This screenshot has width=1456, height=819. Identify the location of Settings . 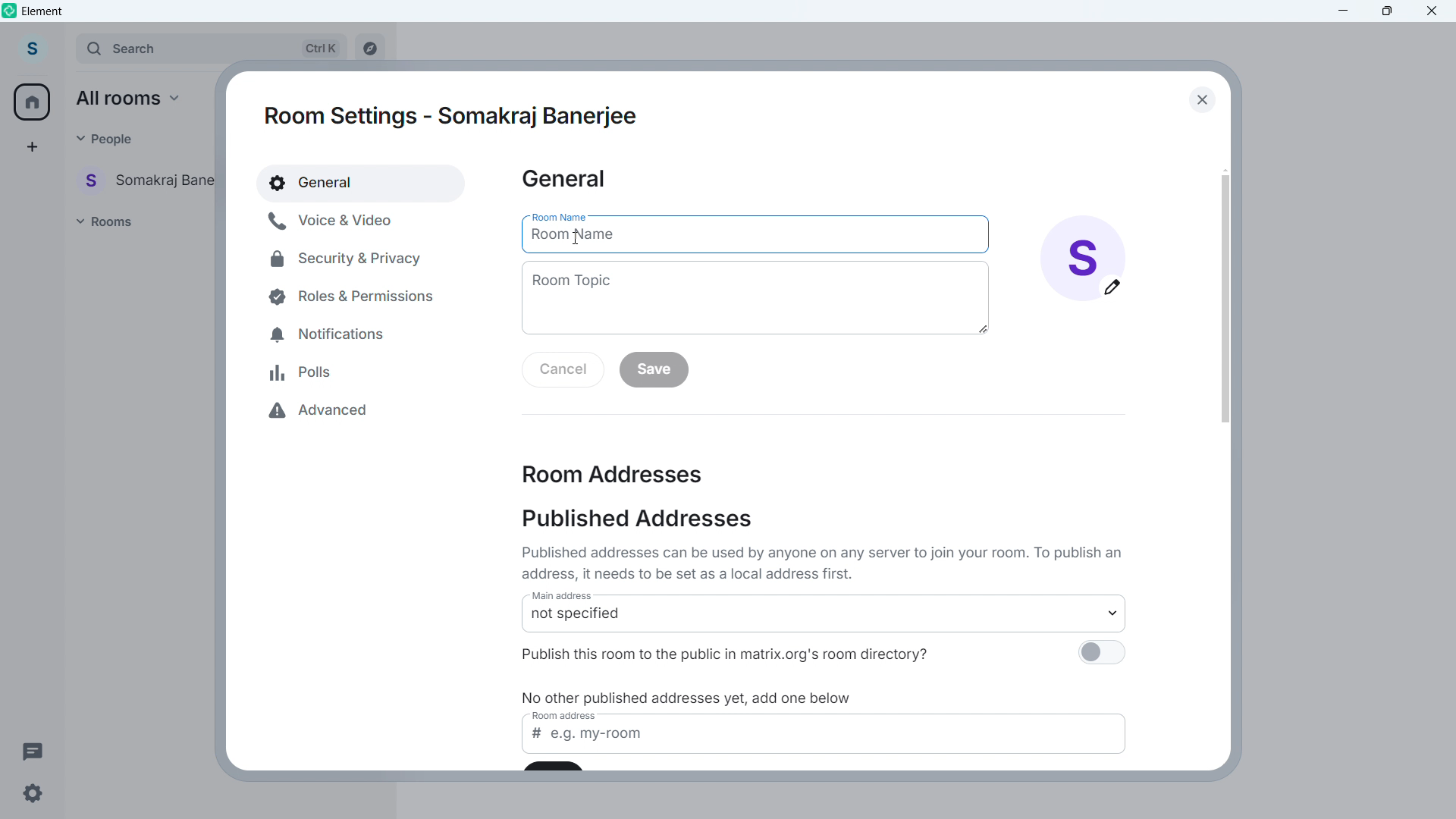
(32, 797).